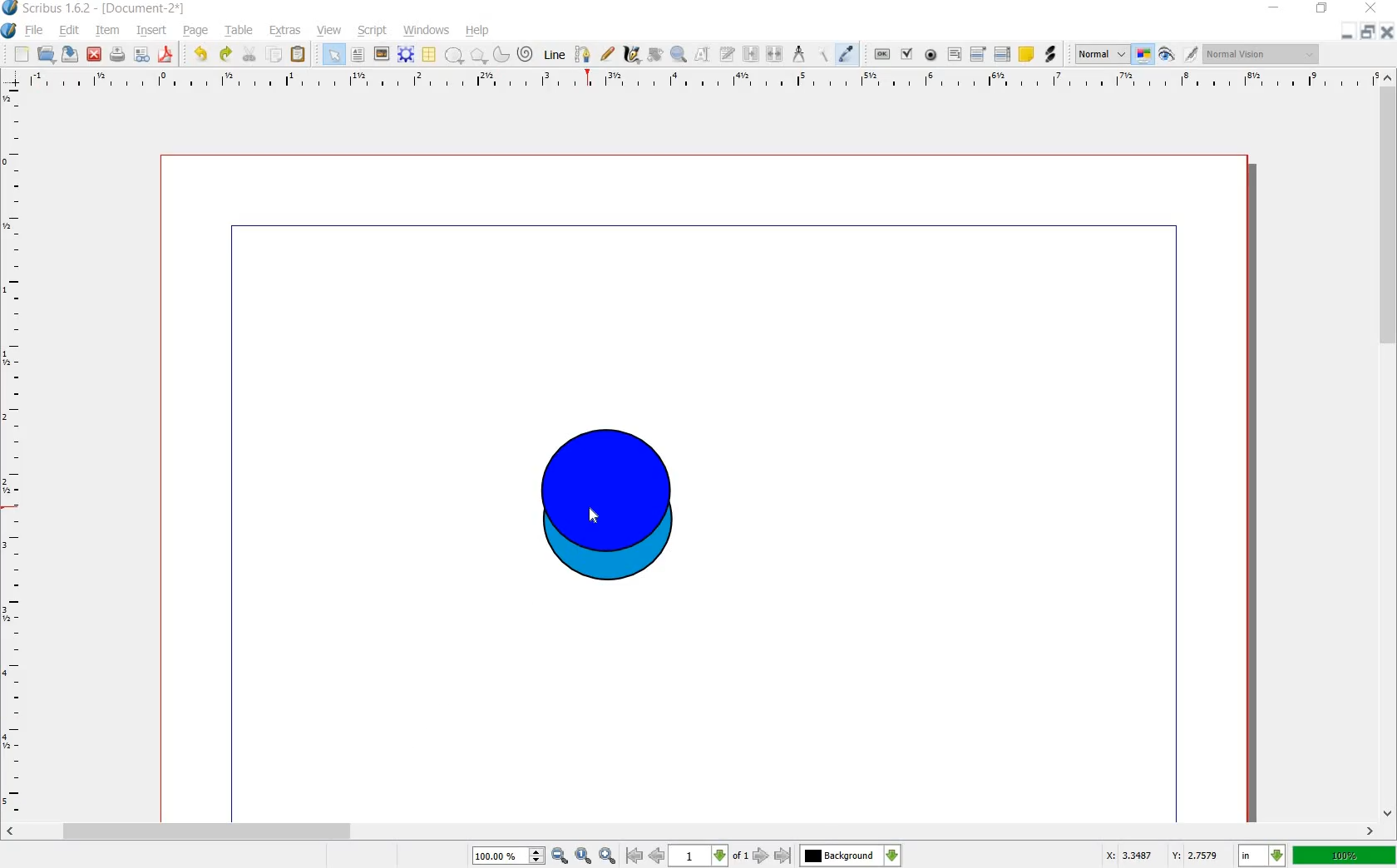 This screenshot has height=868, width=1397. I want to click on minimize, so click(1346, 33).